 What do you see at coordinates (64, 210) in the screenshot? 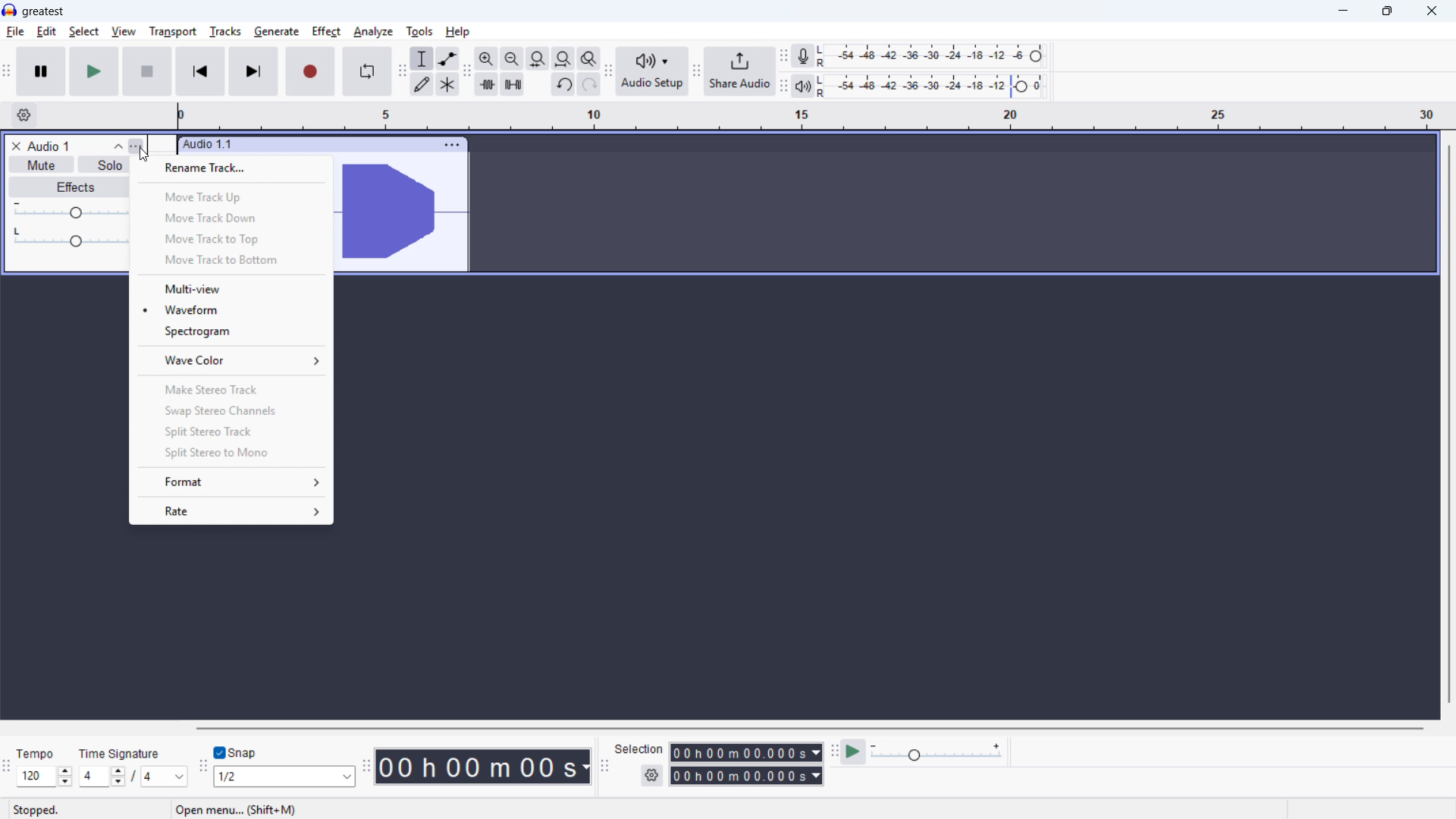
I see `gain` at bounding box center [64, 210].